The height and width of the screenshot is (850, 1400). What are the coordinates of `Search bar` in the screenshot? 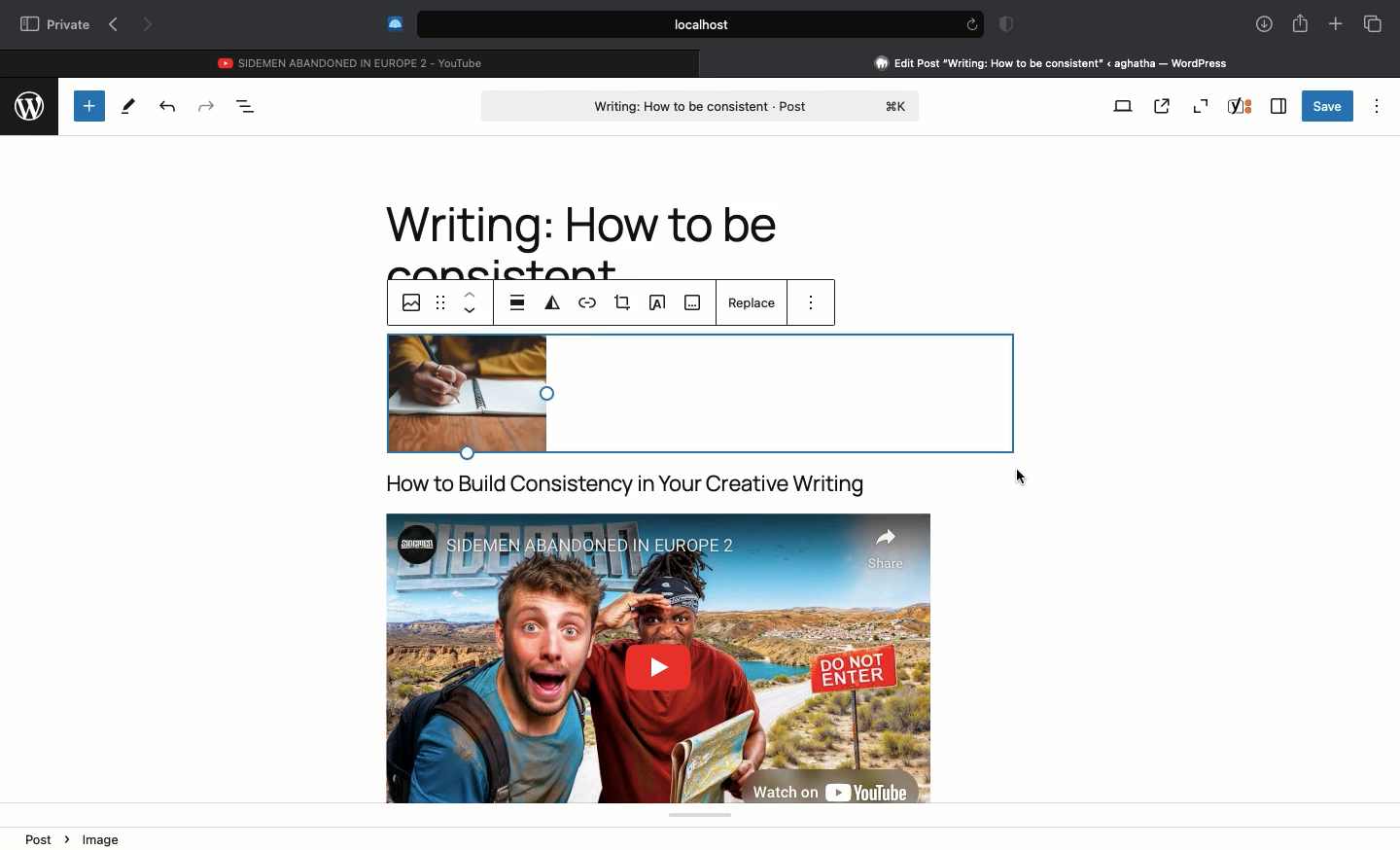 It's located at (682, 24).